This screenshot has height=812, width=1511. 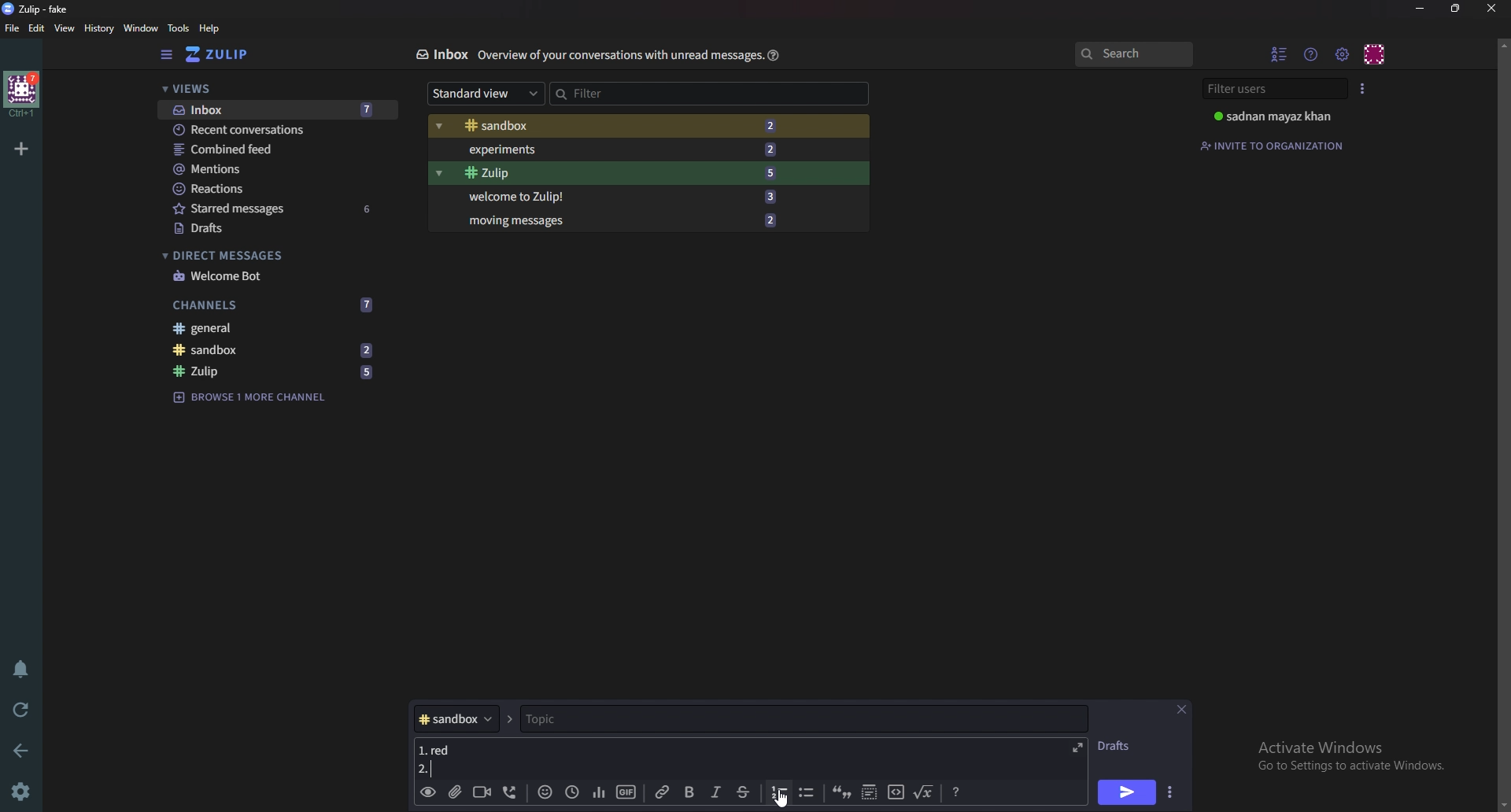 What do you see at coordinates (19, 670) in the screenshot?
I see `Enable do not disturb` at bounding box center [19, 670].